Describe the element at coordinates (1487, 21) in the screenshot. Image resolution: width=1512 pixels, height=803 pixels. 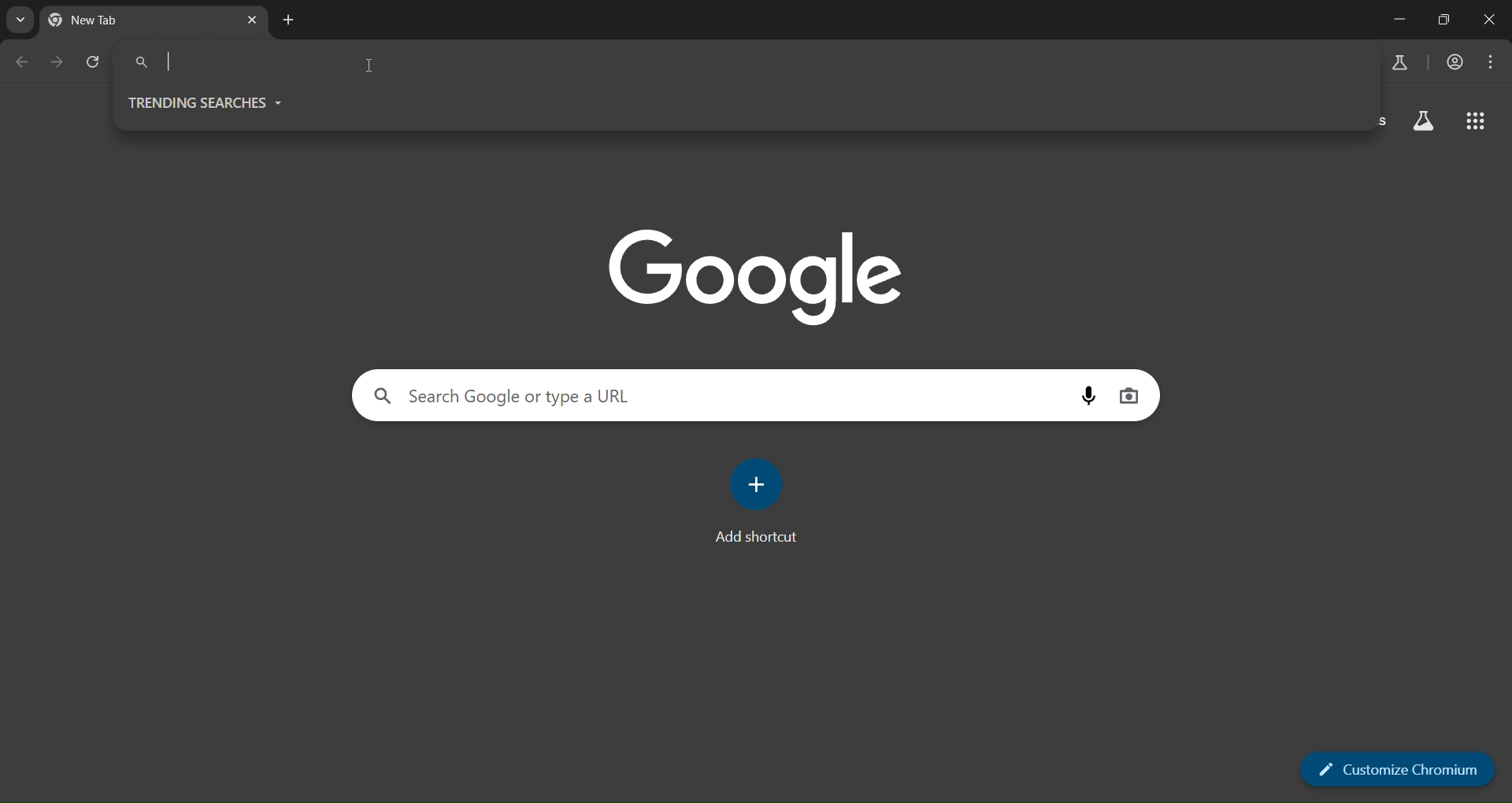
I see `close` at that location.